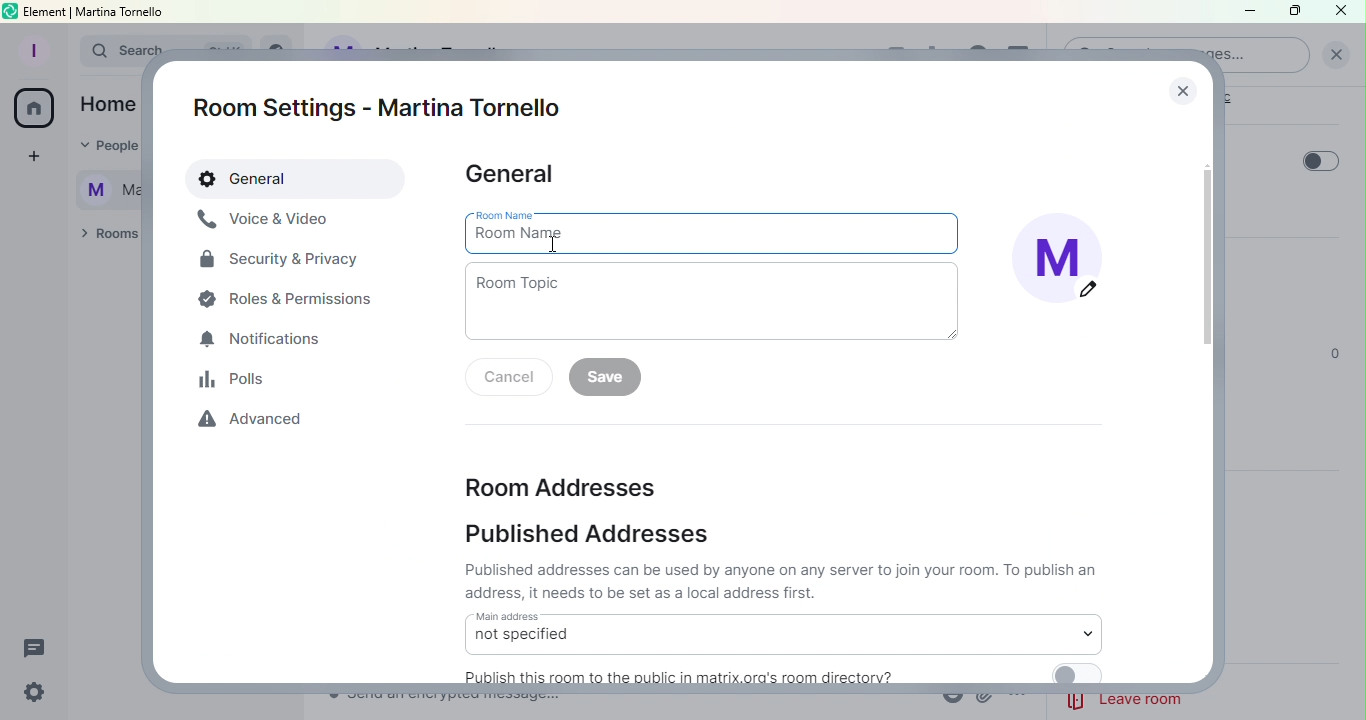 The image size is (1366, 720). What do you see at coordinates (1178, 85) in the screenshot?
I see `Close` at bounding box center [1178, 85].